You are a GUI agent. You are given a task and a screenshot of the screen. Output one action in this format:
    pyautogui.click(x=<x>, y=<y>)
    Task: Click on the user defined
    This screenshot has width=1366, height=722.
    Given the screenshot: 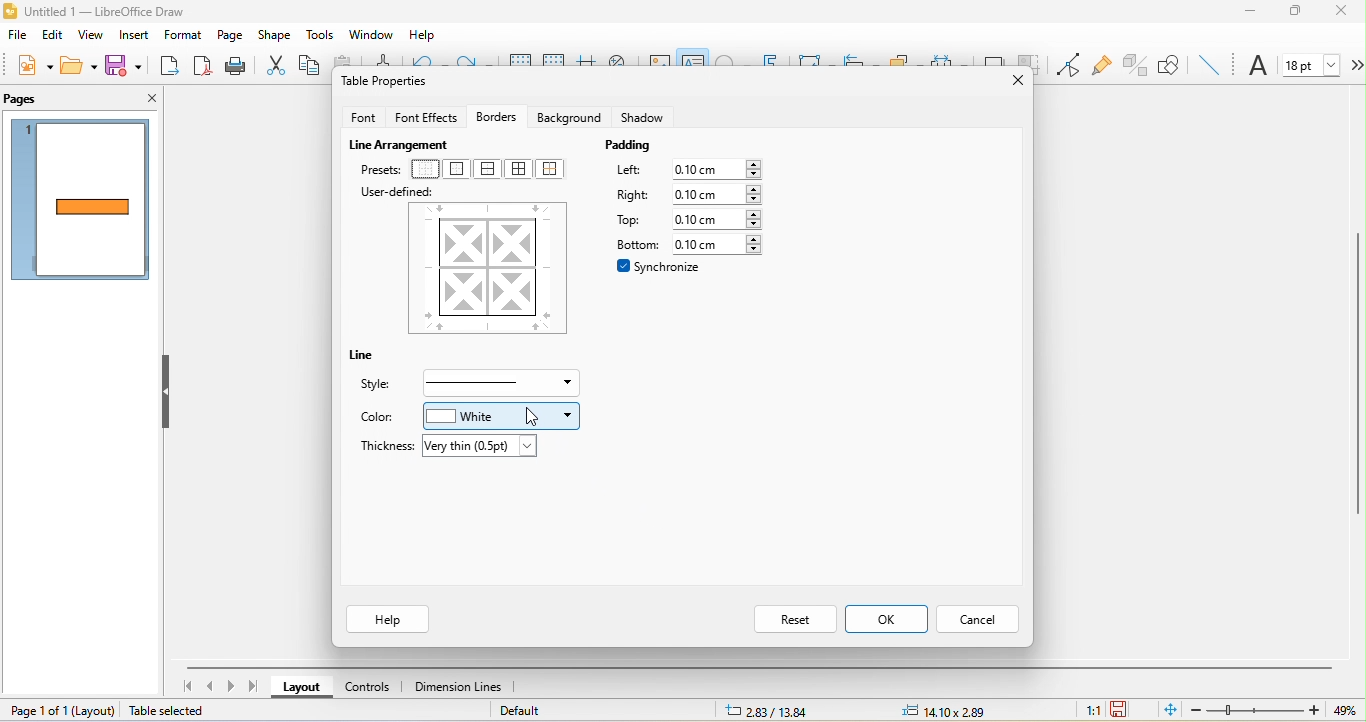 What is the action you would take?
    pyautogui.click(x=398, y=193)
    